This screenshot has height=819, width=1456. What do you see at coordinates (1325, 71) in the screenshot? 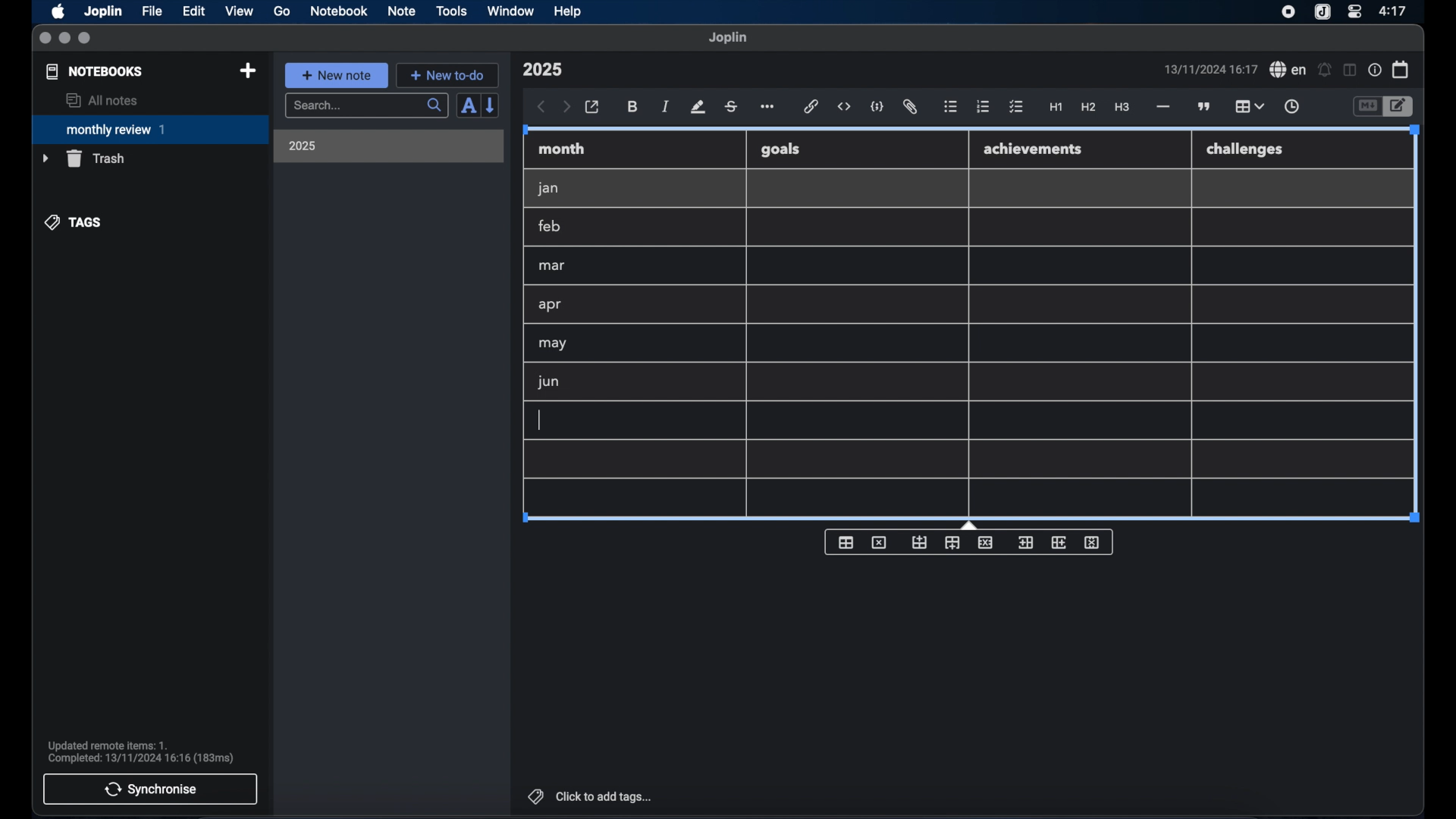
I see `set alarm` at bounding box center [1325, 71].